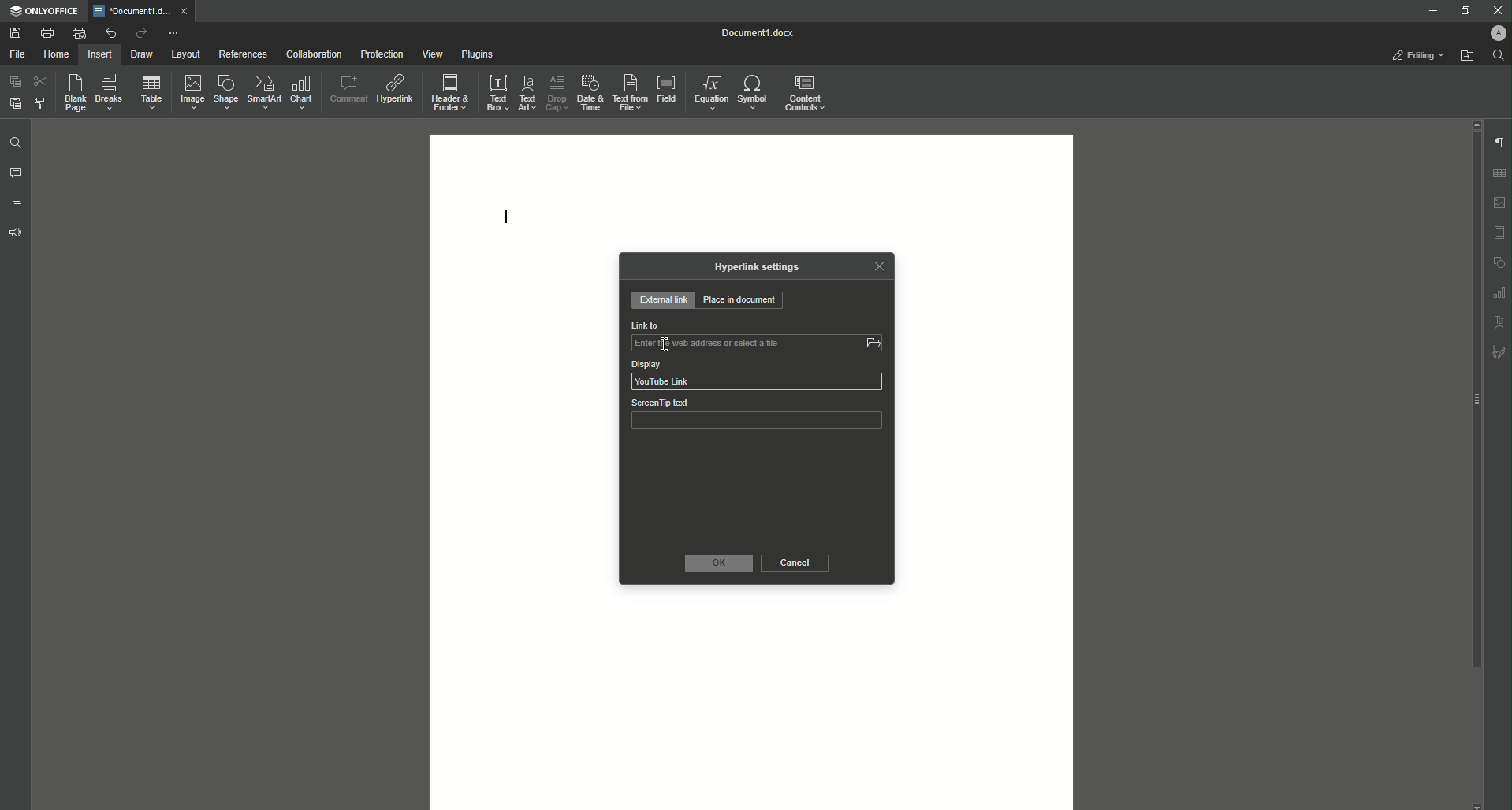  Describe the element at coordinates (1413, 54) in the screenshot. I see `Editing` at that location.